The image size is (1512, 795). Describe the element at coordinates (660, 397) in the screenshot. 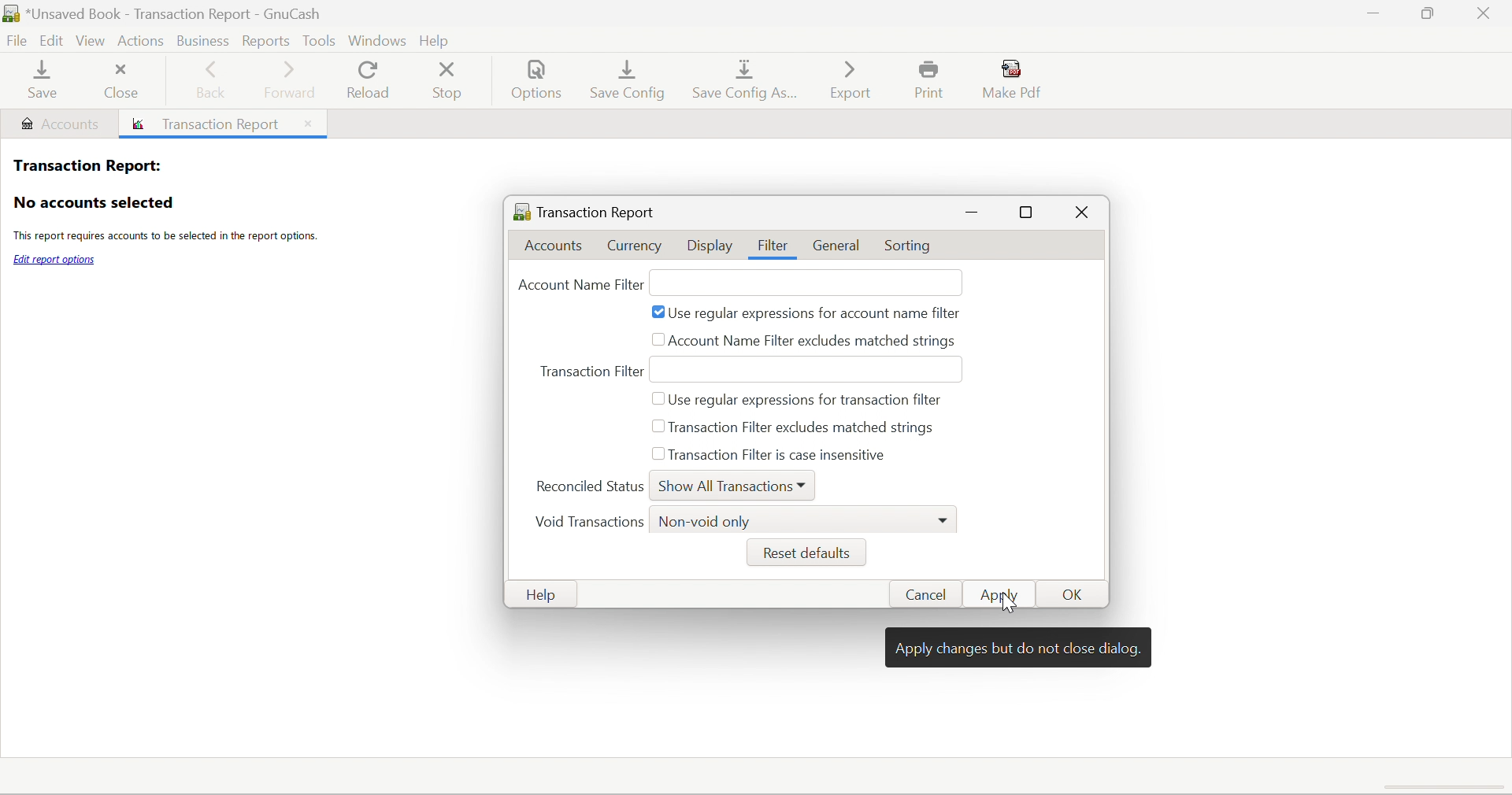

I see `checkbox` at that location.